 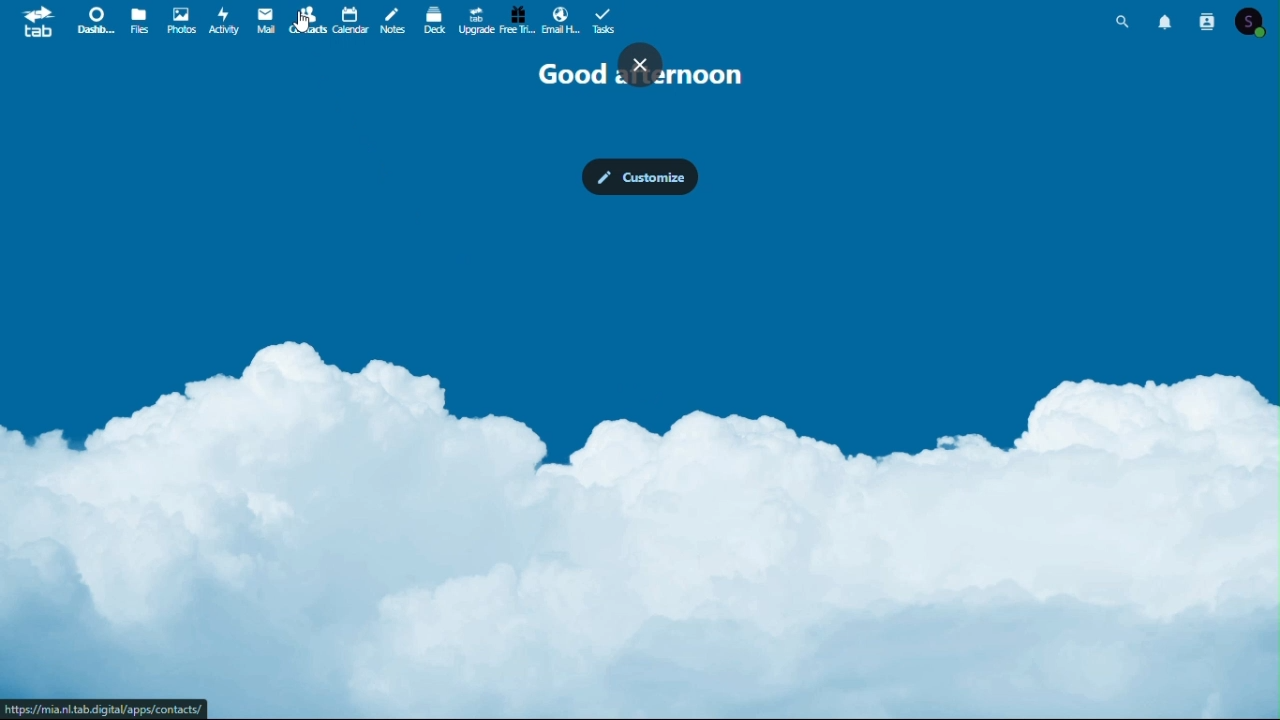 I want to click on Deck, so click(x=436, y=20).